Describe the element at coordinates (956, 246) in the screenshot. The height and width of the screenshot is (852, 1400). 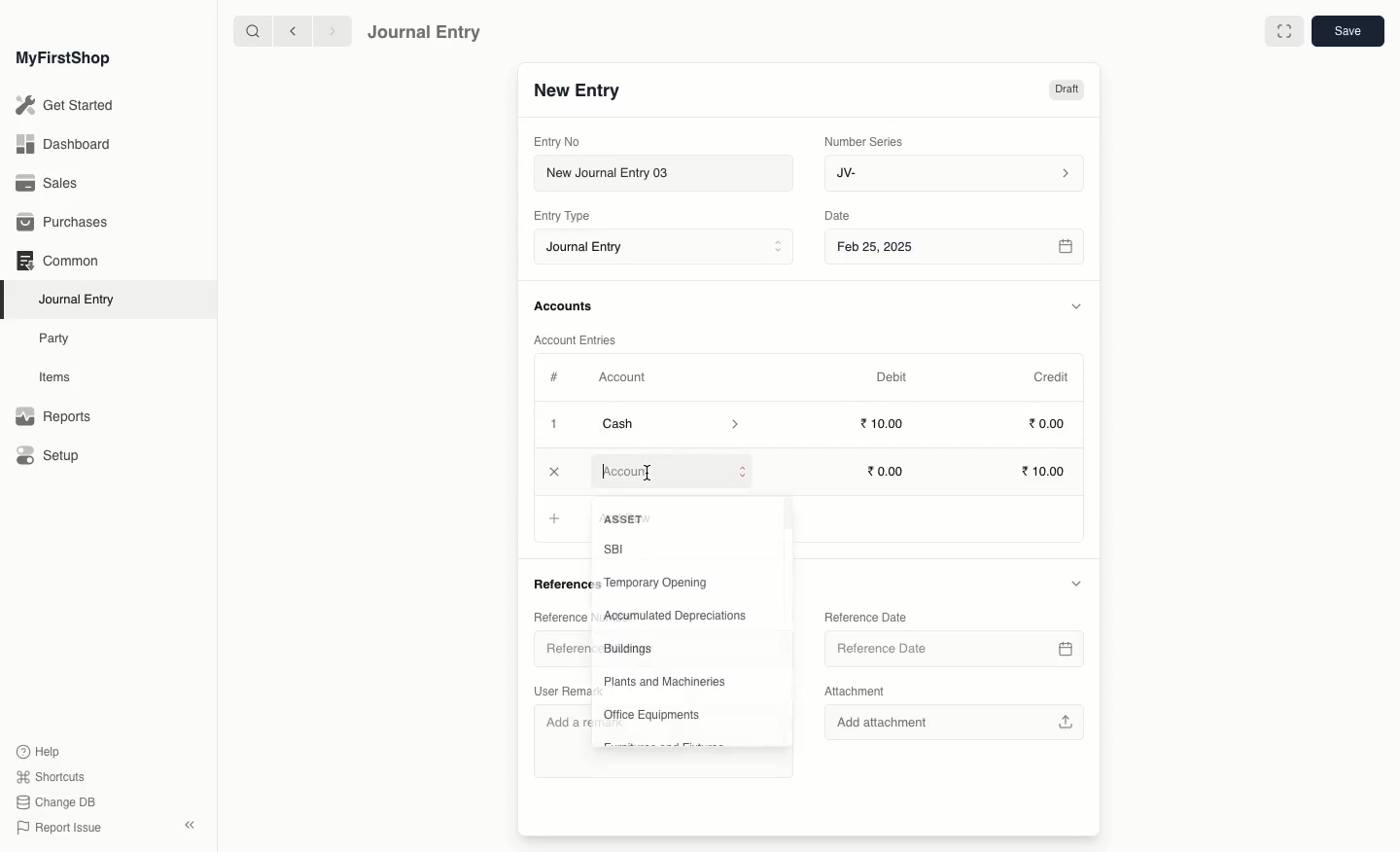
I see `Feb 25, 2025 8` at that location.